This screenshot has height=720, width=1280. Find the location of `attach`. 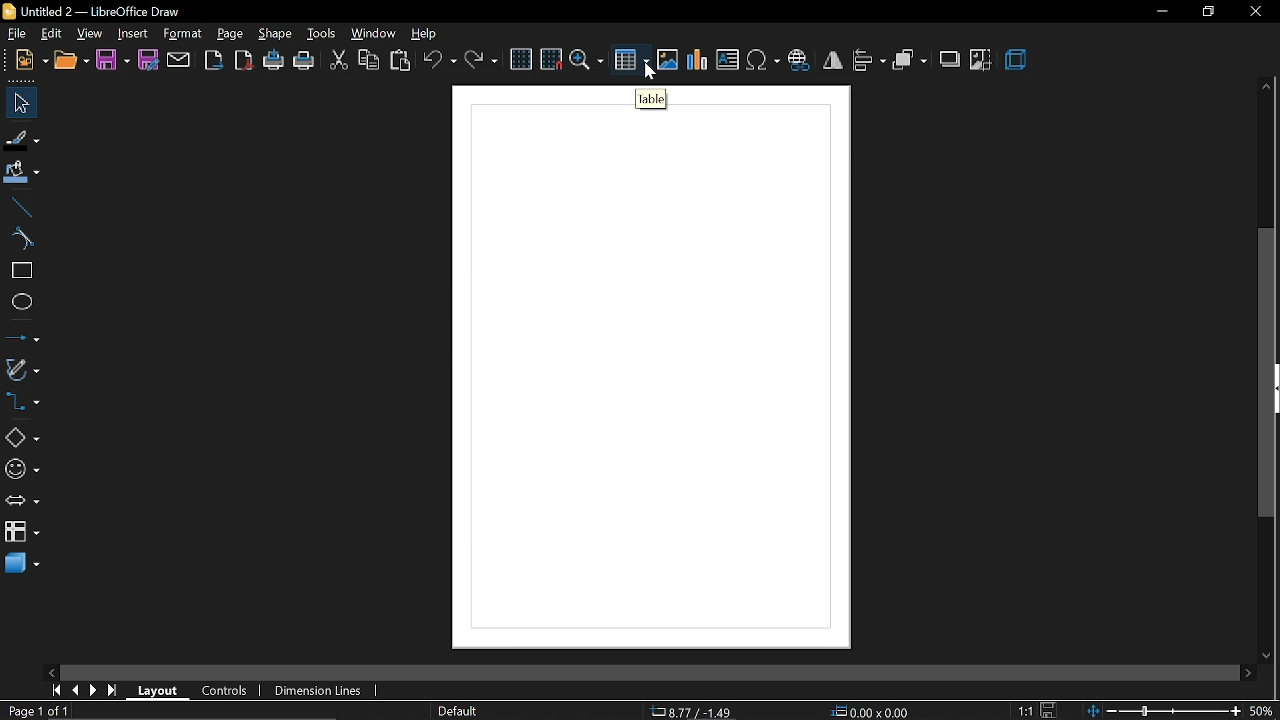

attach is located at coordinates (178, 60).